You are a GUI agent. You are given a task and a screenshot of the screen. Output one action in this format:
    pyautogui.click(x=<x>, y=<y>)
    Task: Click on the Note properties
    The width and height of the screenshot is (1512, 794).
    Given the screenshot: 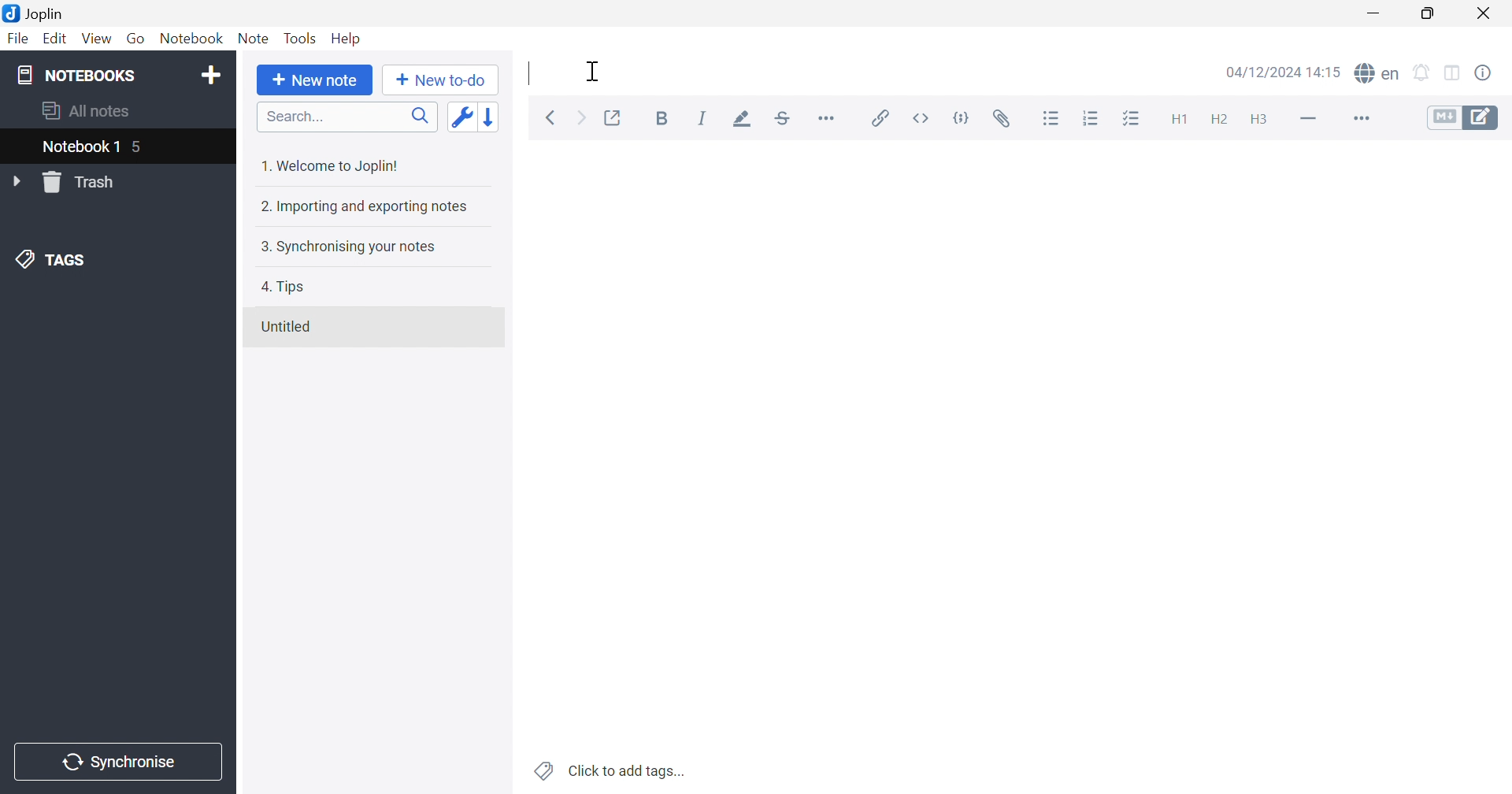 What is the action you would take?
    pyautogui.click(x=1483, y=73)
    